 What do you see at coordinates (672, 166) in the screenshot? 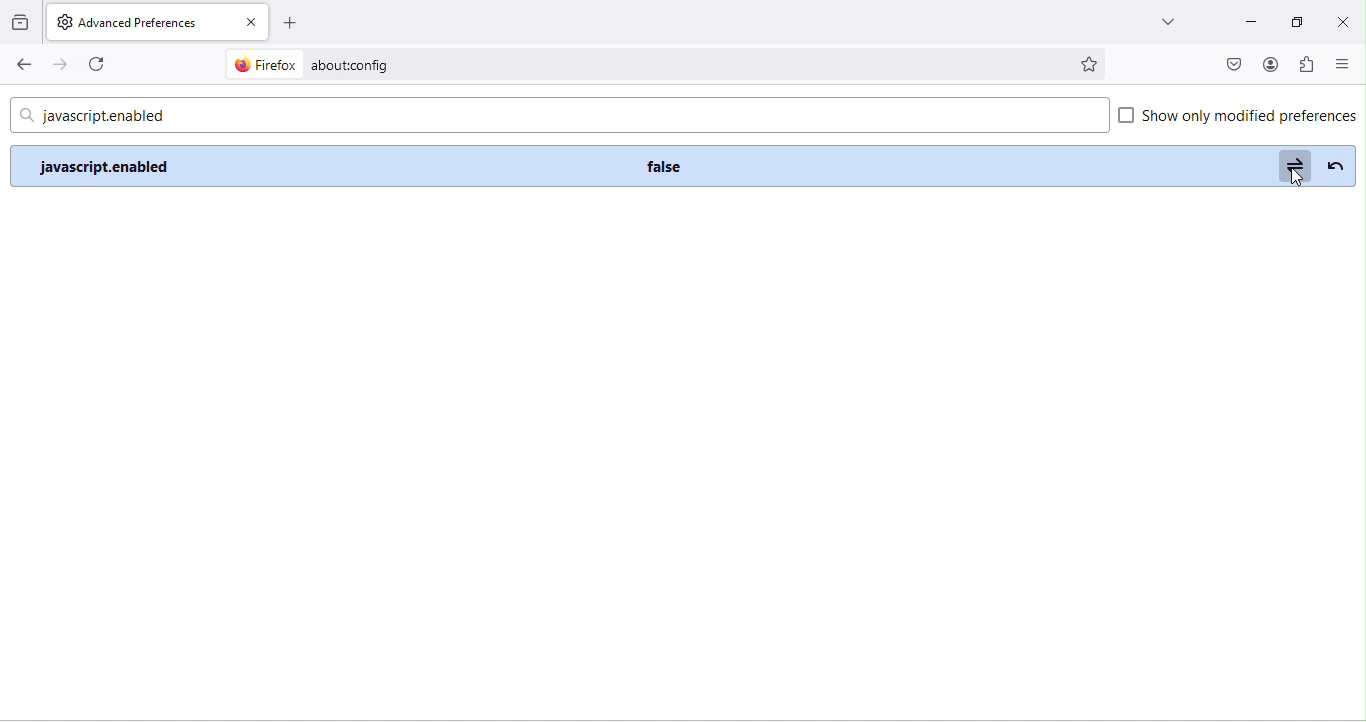
I see `false` at bounding box center [672, 166].